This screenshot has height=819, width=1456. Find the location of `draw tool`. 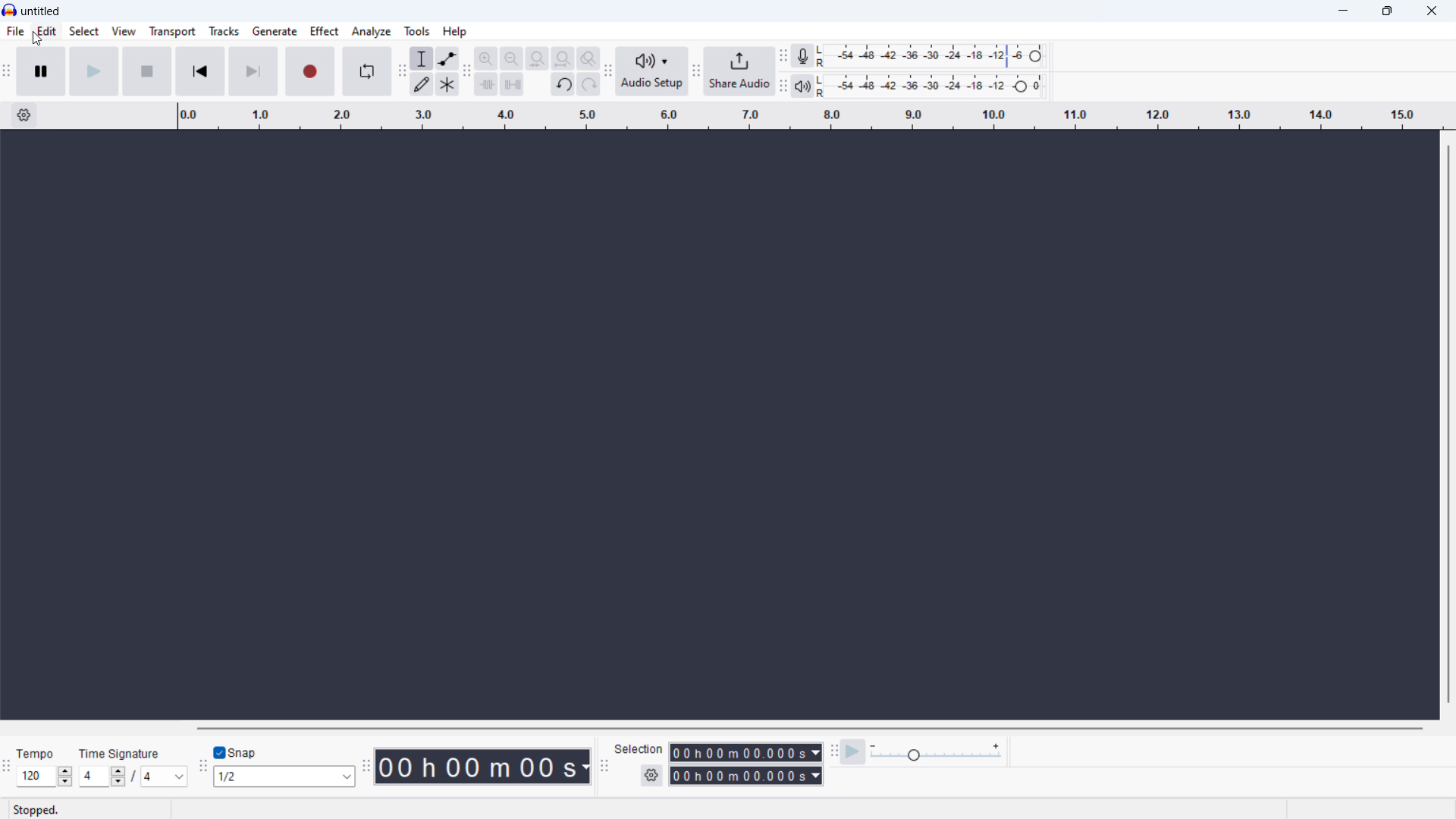

draw tool is located at coordinates (422, 84).